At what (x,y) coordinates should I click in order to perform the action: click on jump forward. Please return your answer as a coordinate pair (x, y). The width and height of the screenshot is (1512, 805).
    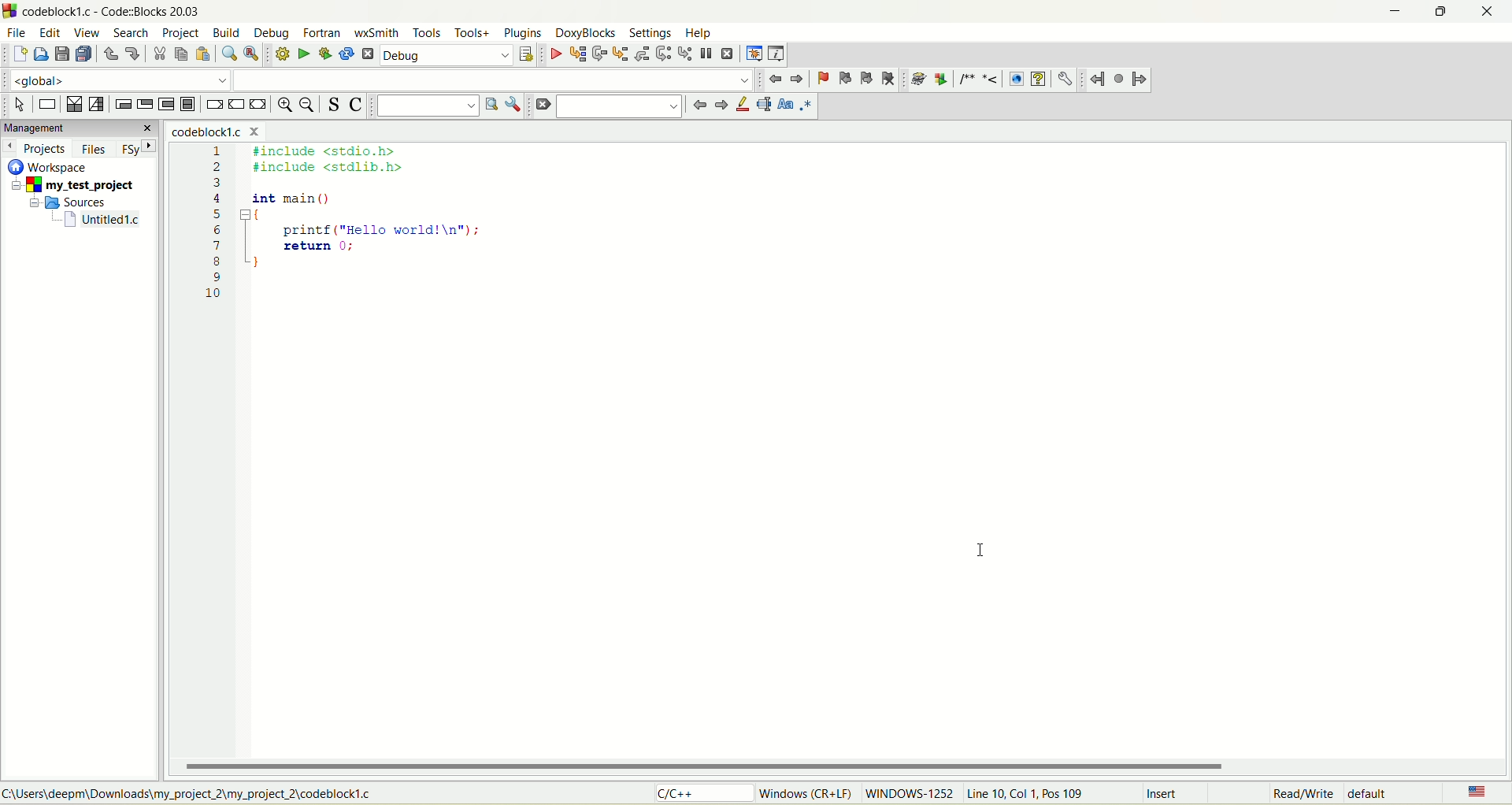
    Looking at the image, I should click on (1140, 81).